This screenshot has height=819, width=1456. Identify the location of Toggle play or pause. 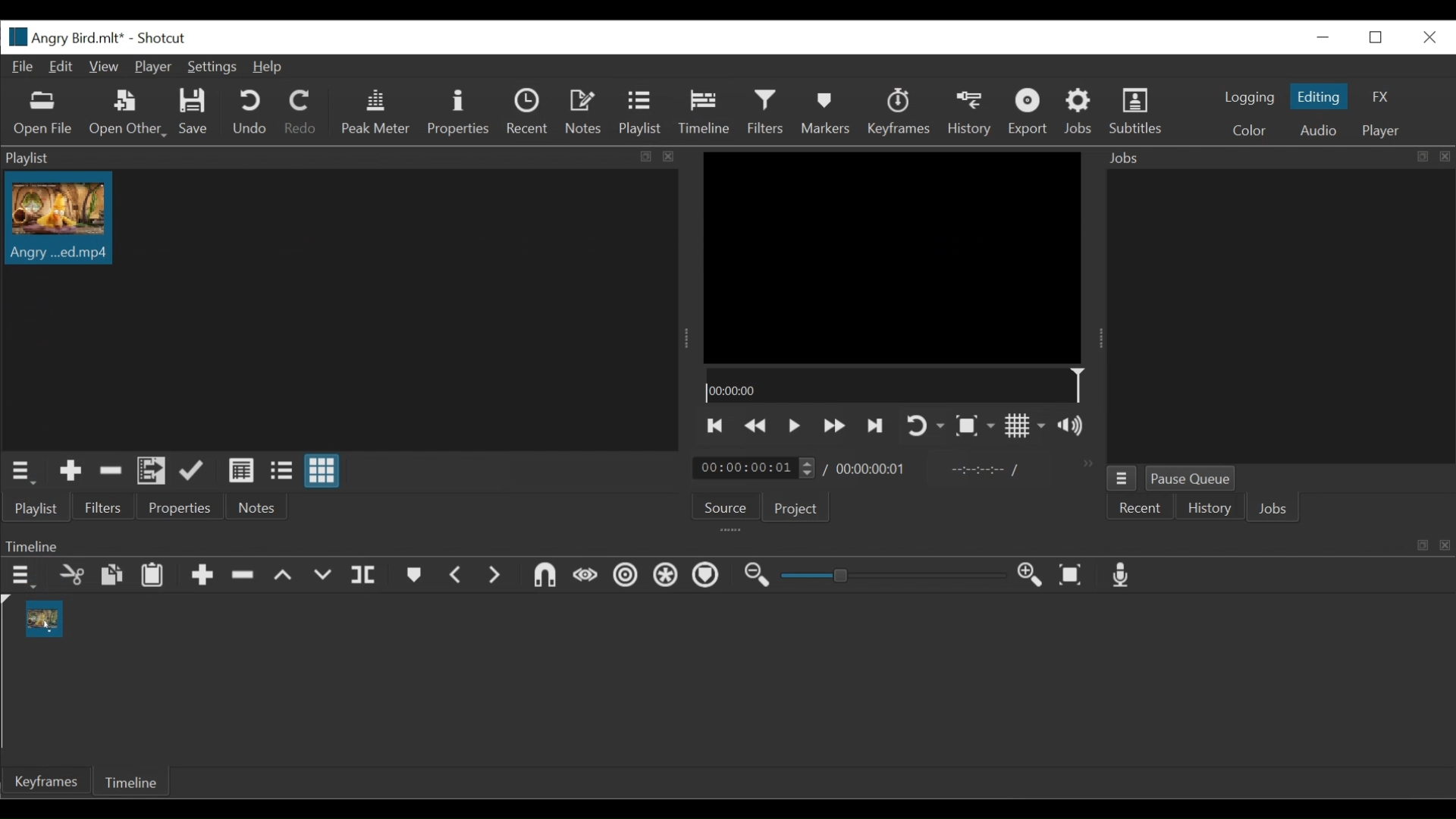
(795, 428).